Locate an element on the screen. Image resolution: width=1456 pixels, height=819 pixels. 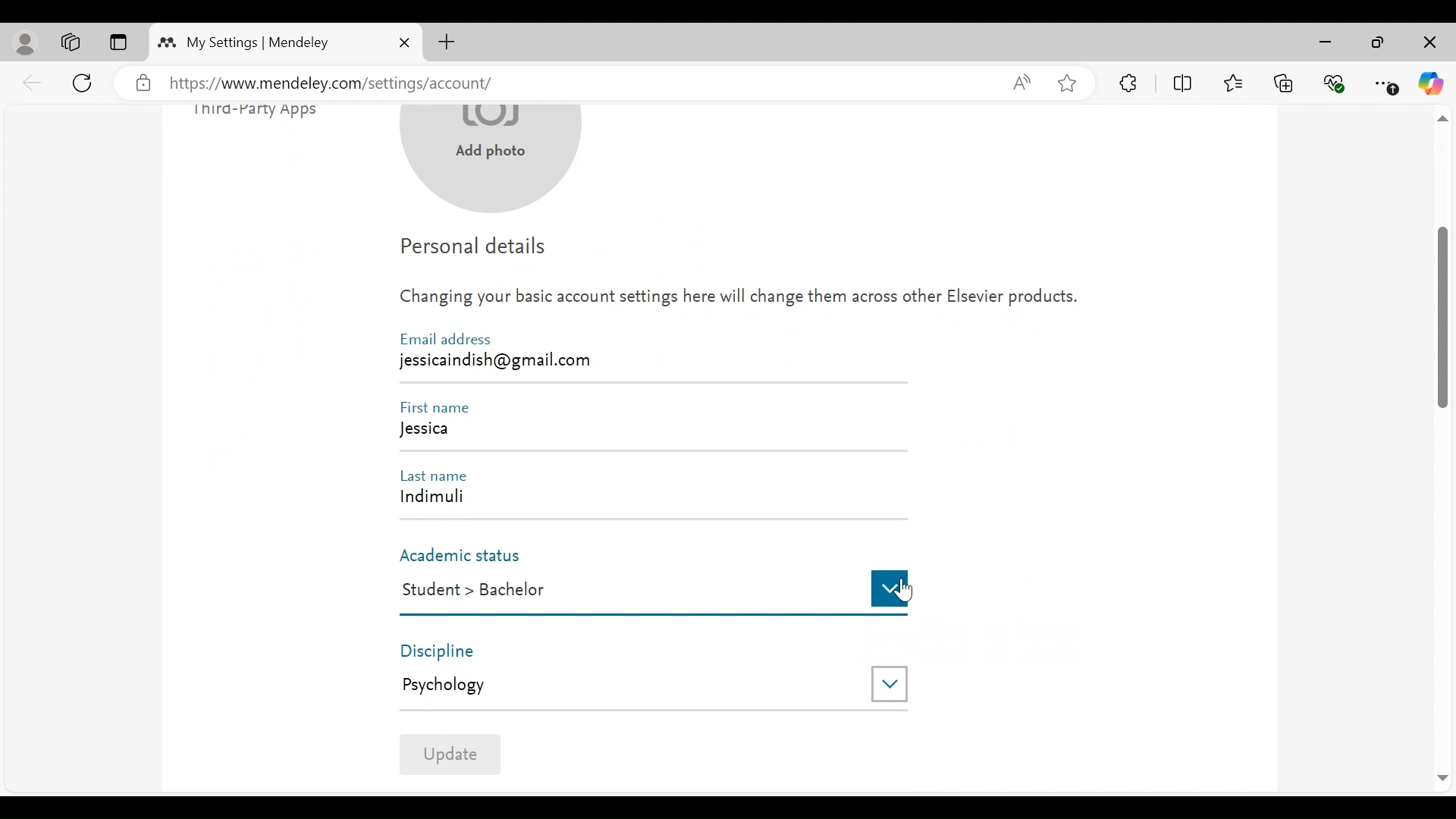
Academic Status is located at coordinates (468, 556).